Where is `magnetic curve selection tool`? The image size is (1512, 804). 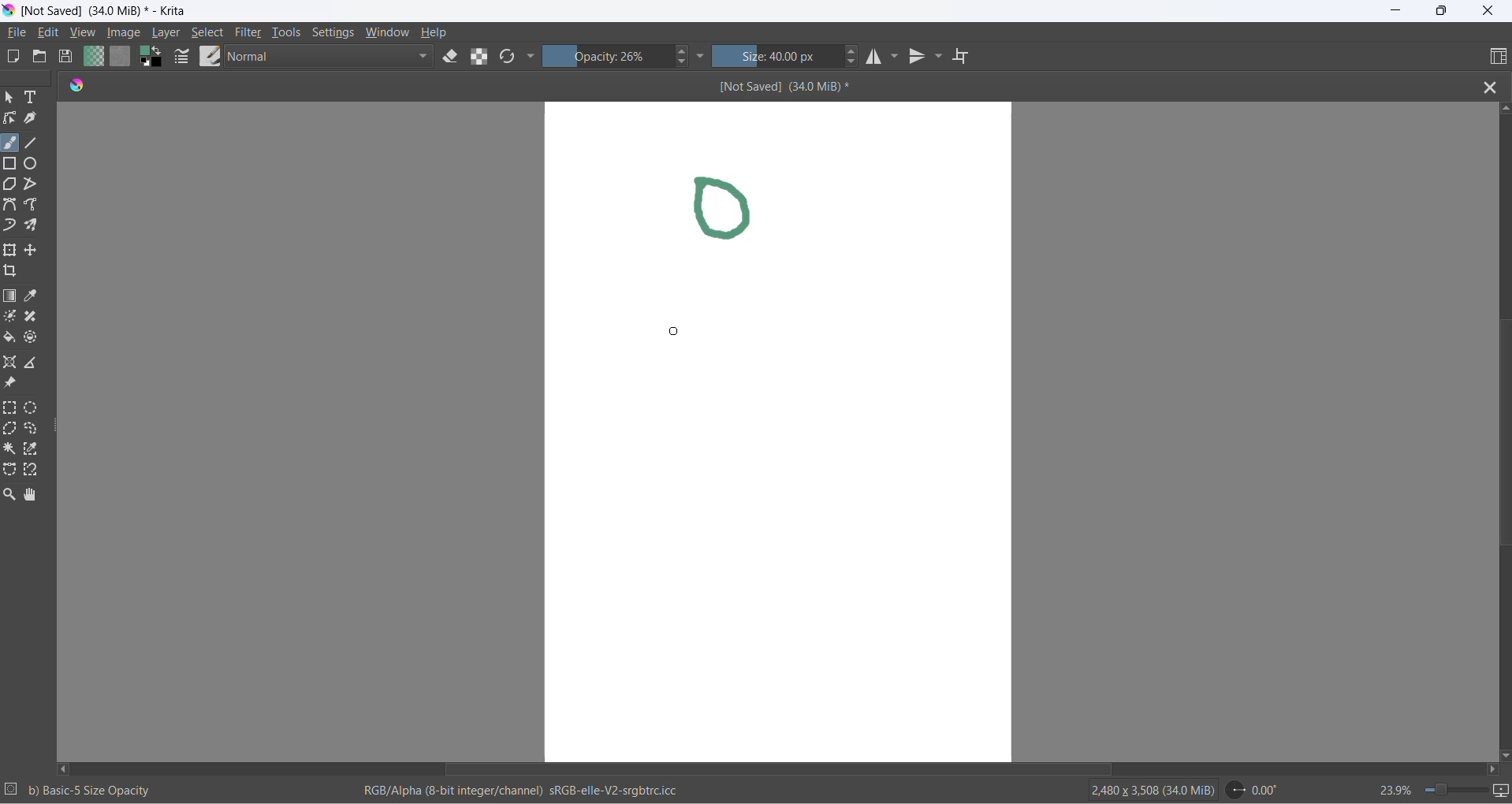
magnetic curve selection tool is located at coordinates (34, 471).